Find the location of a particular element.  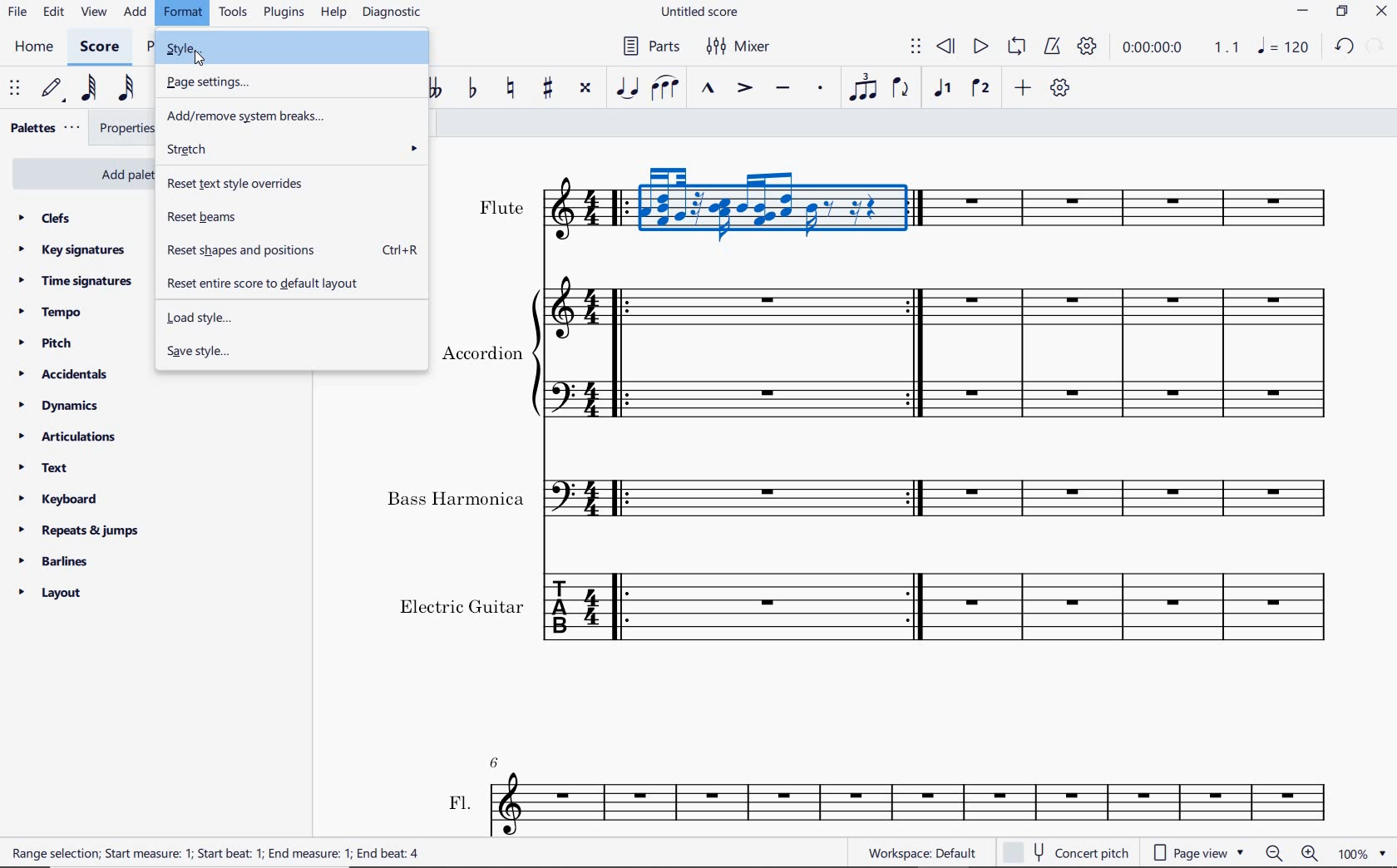

slur is located at coordinates (664, 90).